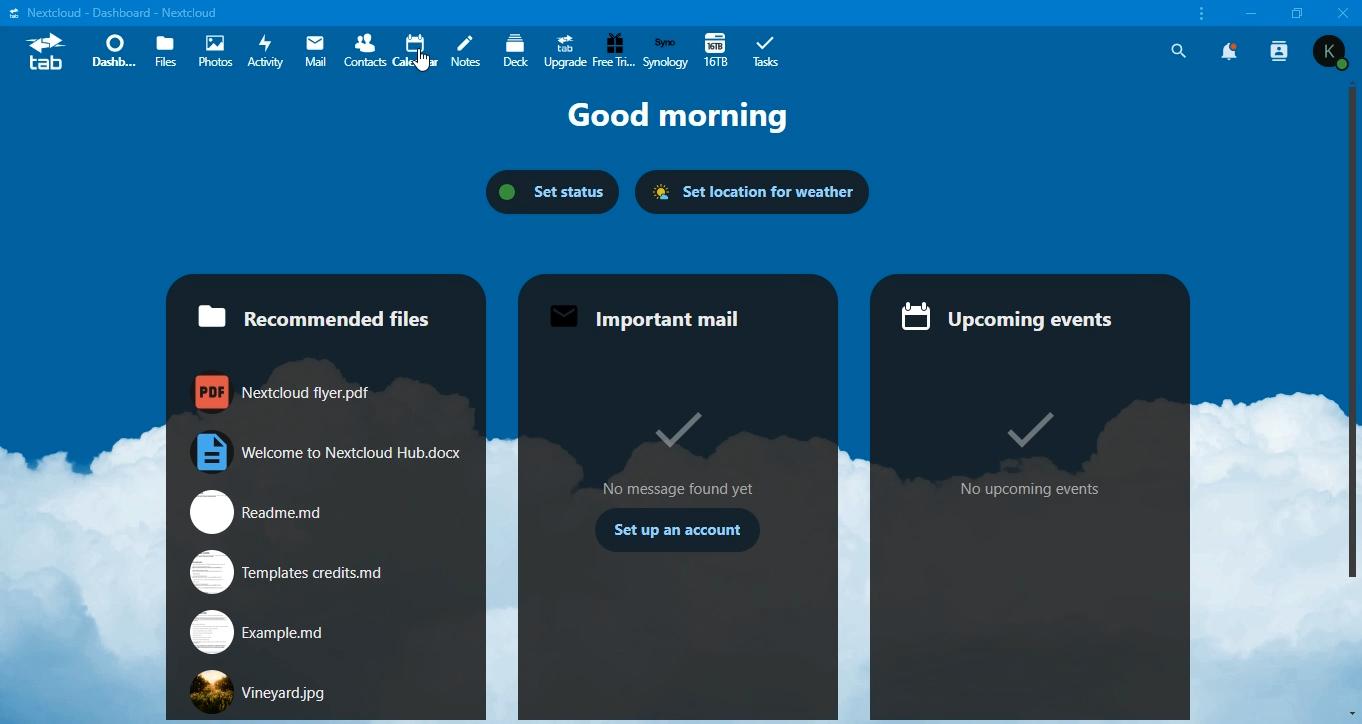 Image resolution: width=1362 pixels, height=724 pixels. What do you see at coordinates (1254, 15) in the screenshot?
I see `minimize` at bounding box center [1254, 15].